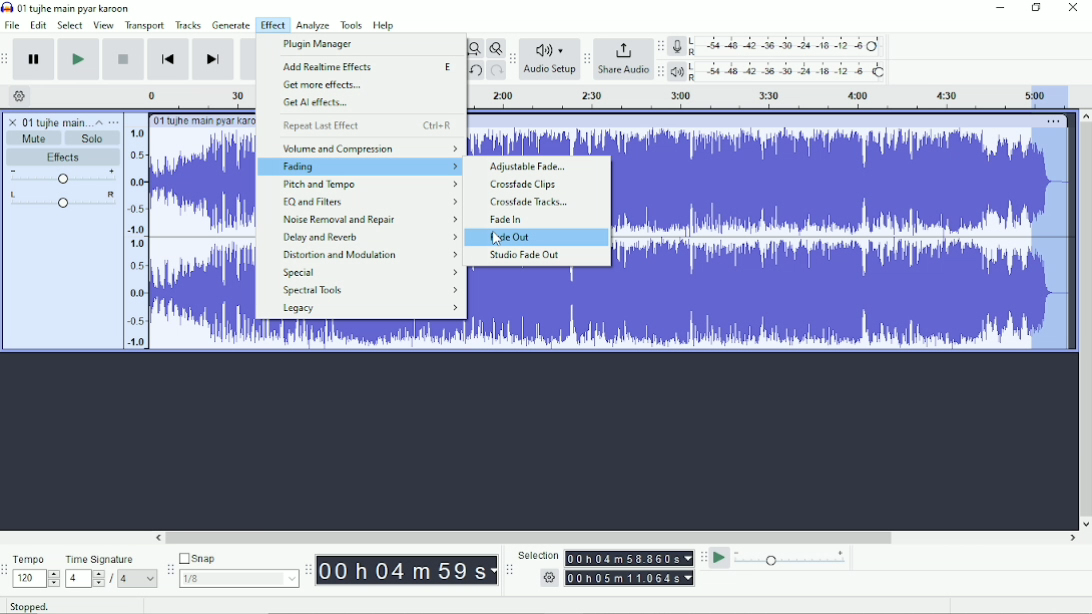 The image size is (1092, 614). I want to click on Get more effects, so click(326, 85).